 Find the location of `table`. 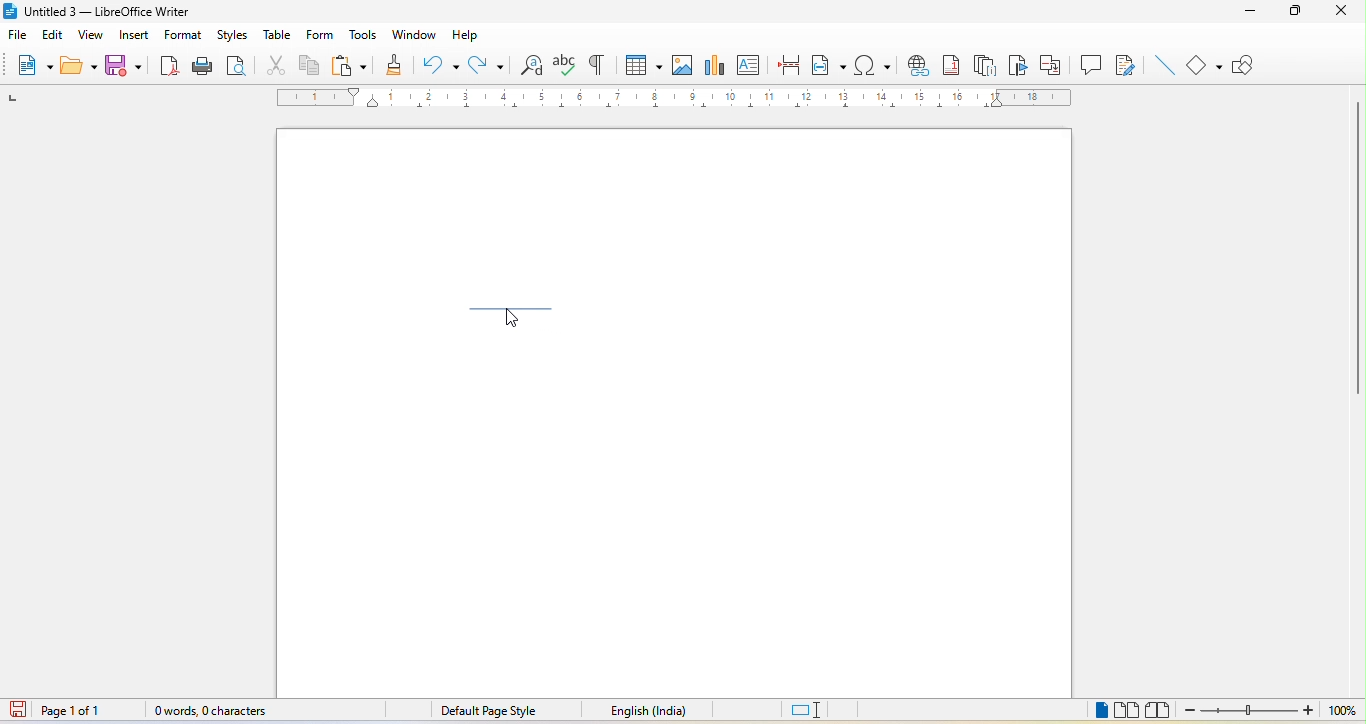

table is located at coordinates (279, 32).